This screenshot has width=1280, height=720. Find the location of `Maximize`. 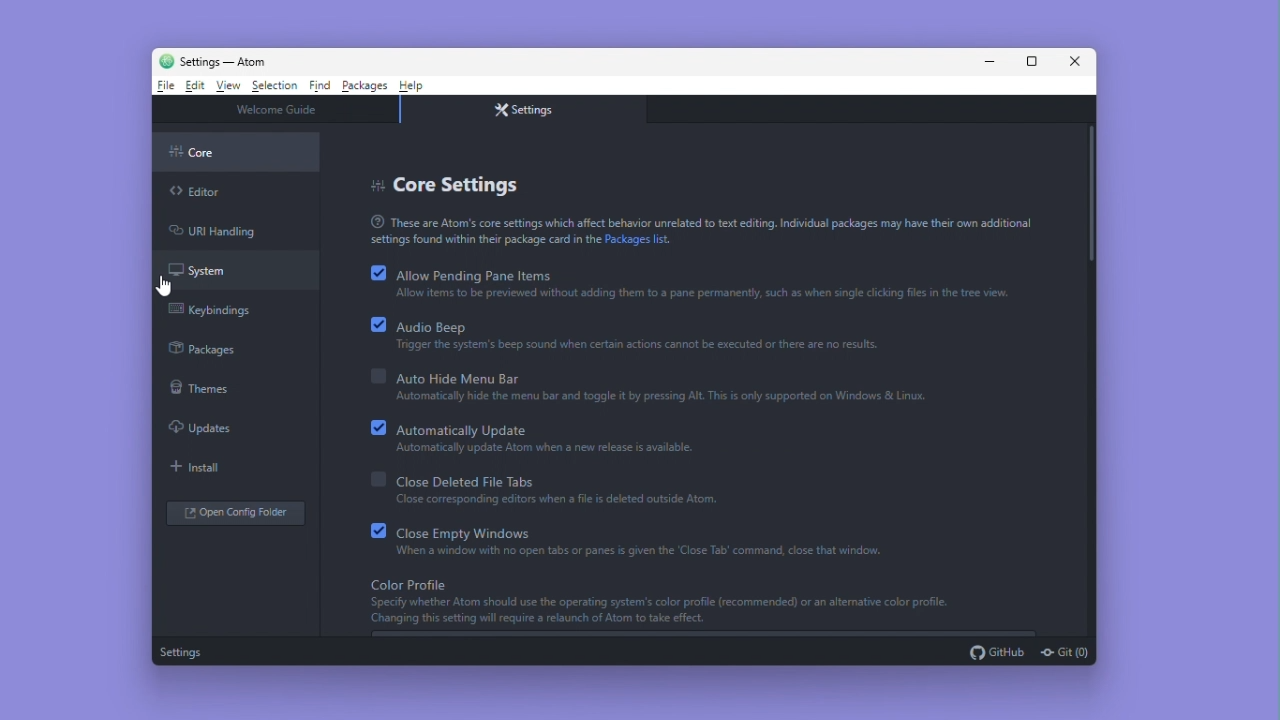

Maximize is located at coordinates (1031, 59).